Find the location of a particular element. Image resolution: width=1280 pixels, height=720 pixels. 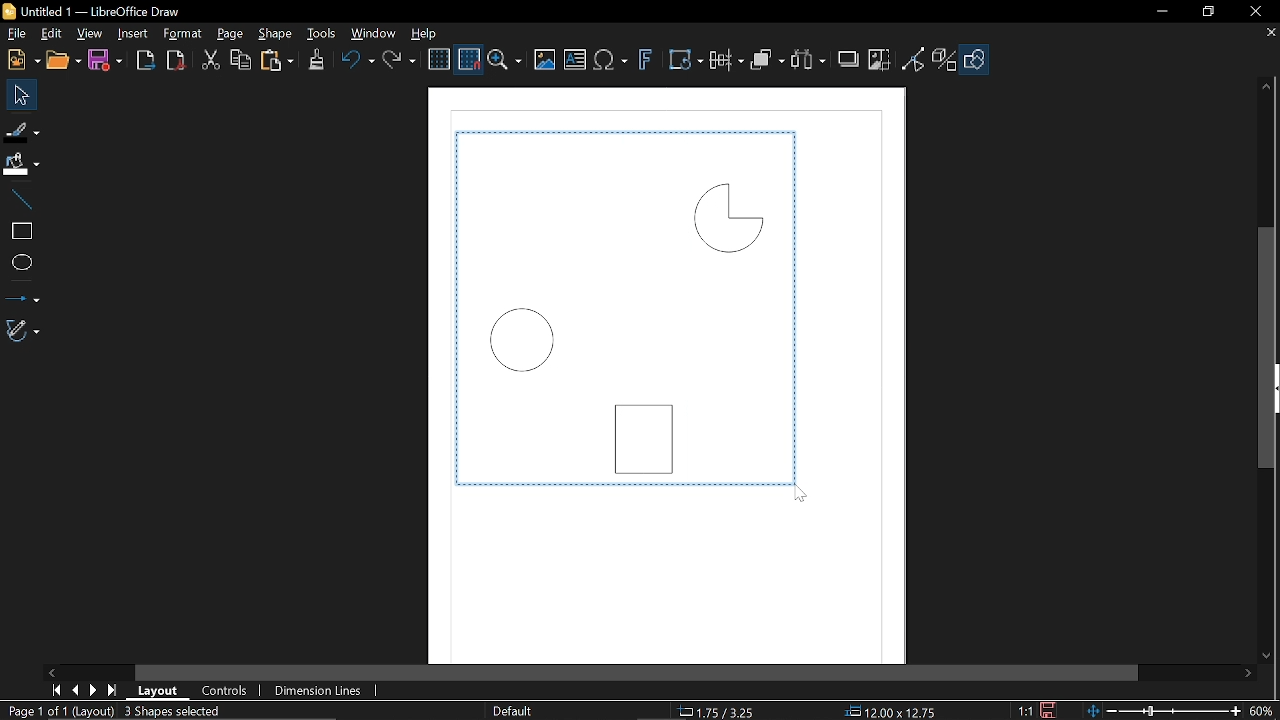

Display grid is located at coordinates (440, 60).